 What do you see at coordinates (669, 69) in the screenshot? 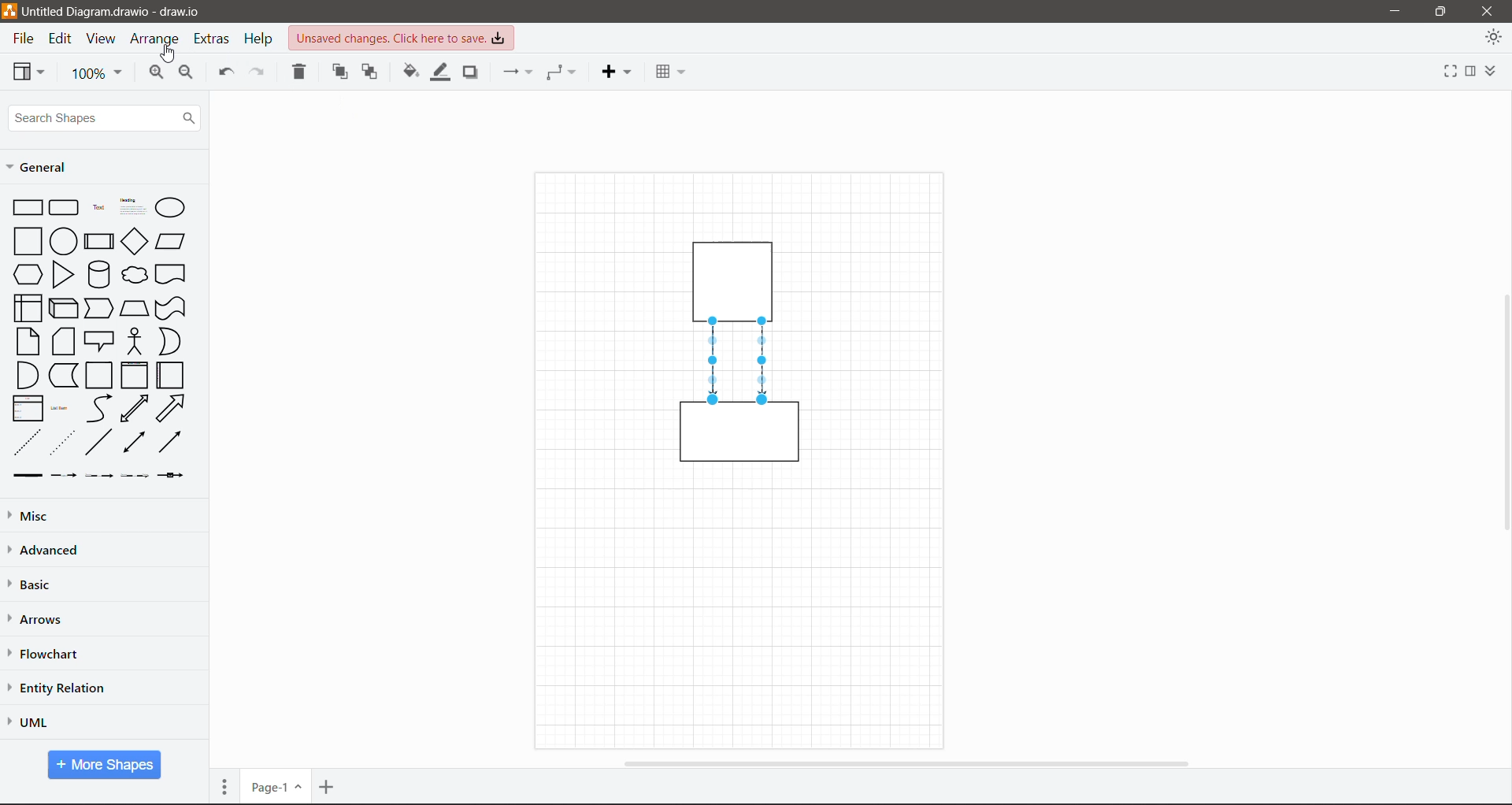
I see `Table` at bounding box center [669, 69].